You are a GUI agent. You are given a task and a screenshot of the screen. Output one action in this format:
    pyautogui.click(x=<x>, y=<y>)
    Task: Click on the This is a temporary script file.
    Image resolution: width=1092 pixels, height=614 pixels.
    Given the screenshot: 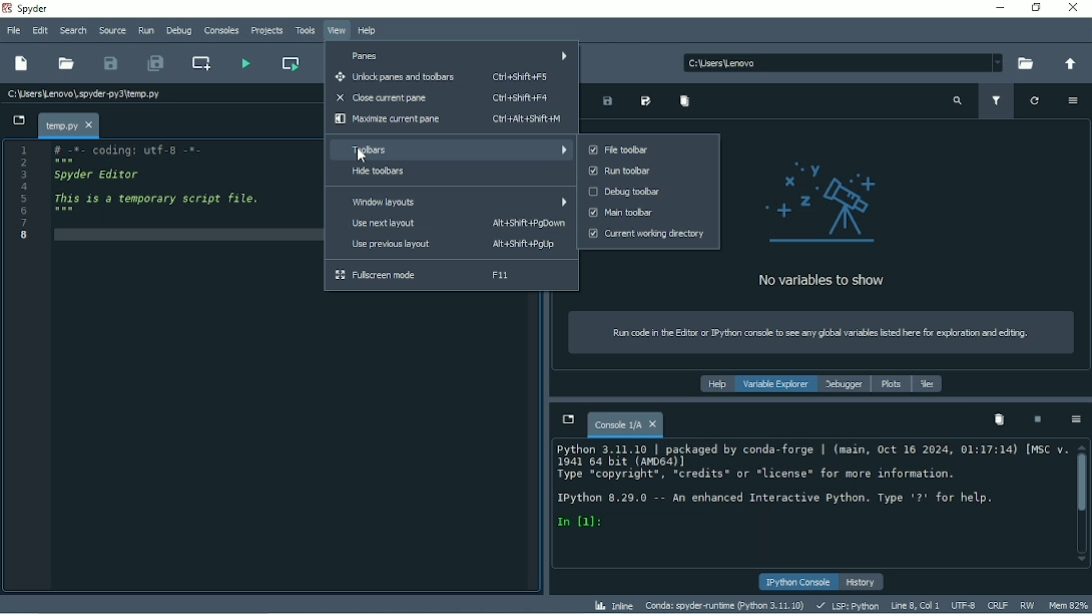 What is the action you would take?
    pyautogui.click(x=158, y=198)
    